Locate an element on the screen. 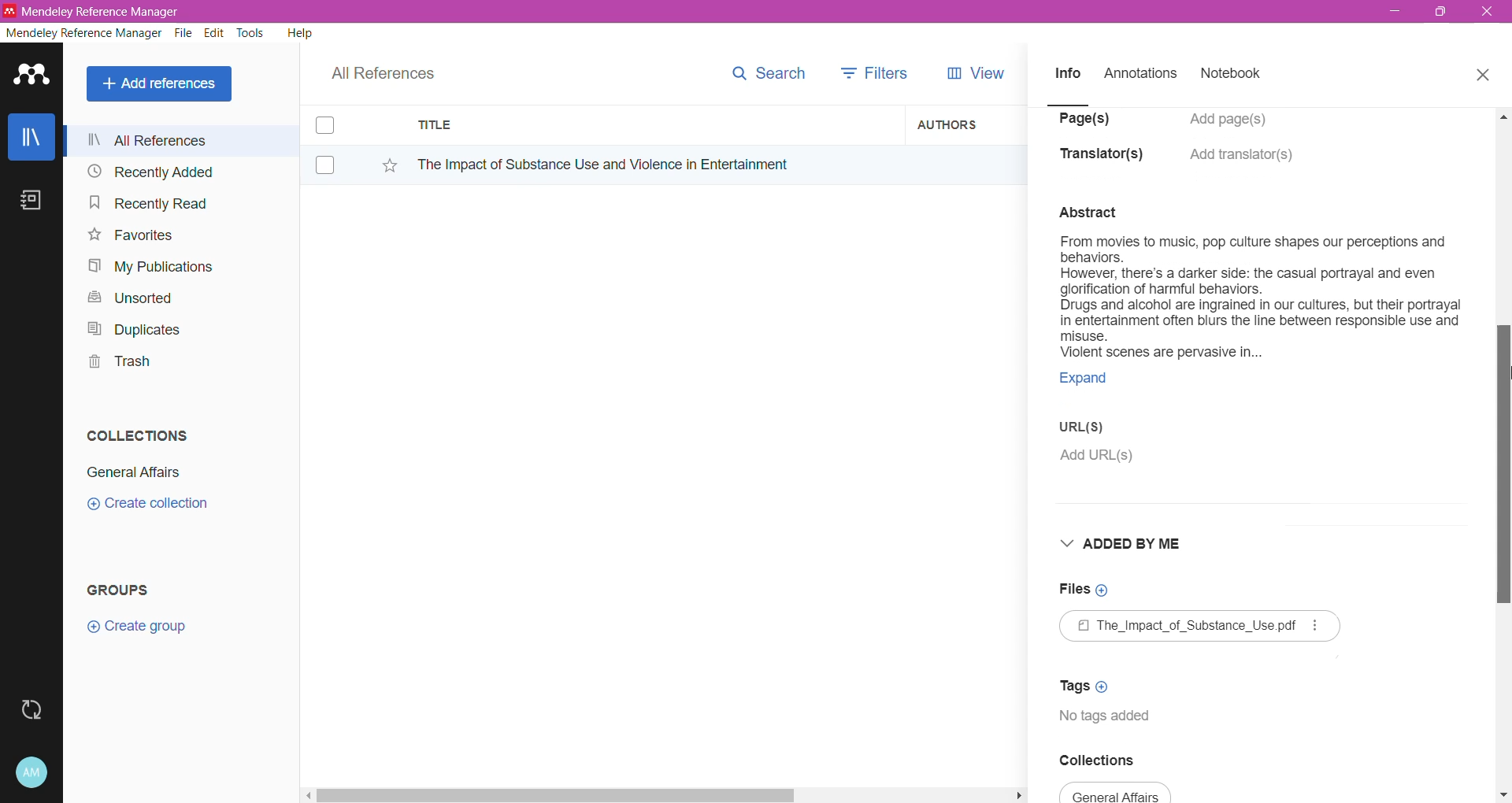  Edit is located at coordinates (214, 33).